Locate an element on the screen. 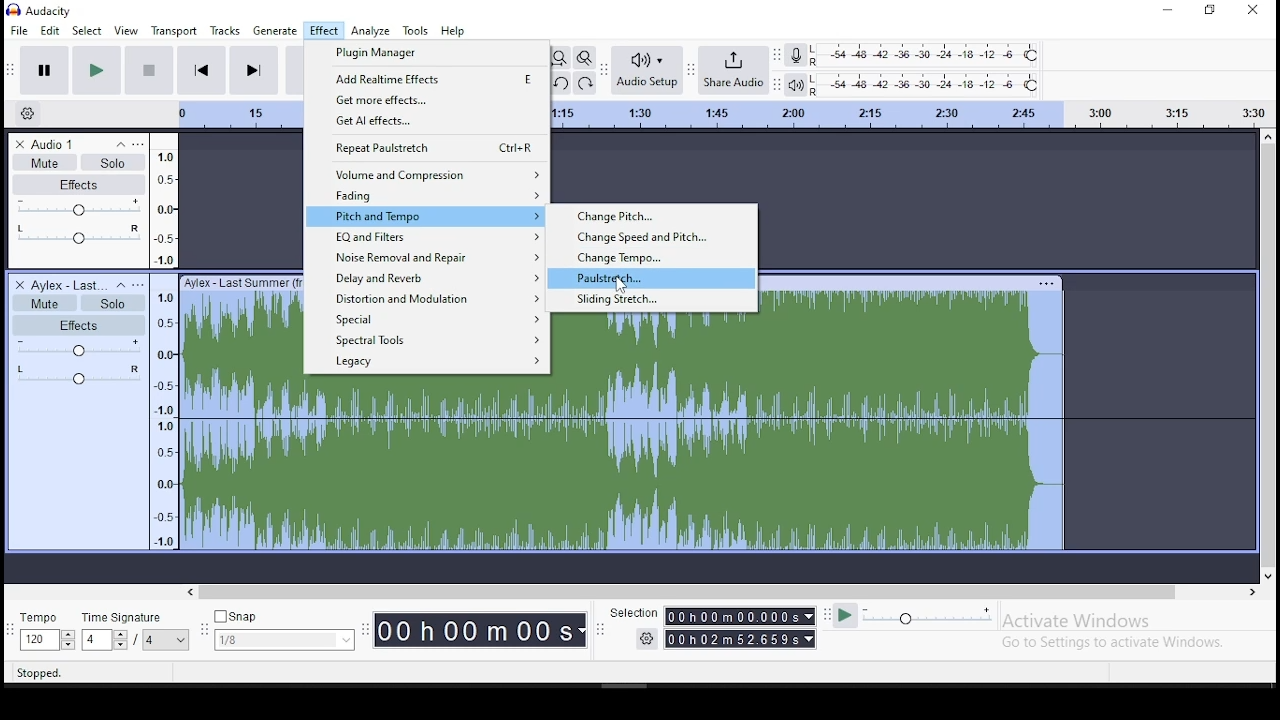  pause is located at coordinates (44, 70).